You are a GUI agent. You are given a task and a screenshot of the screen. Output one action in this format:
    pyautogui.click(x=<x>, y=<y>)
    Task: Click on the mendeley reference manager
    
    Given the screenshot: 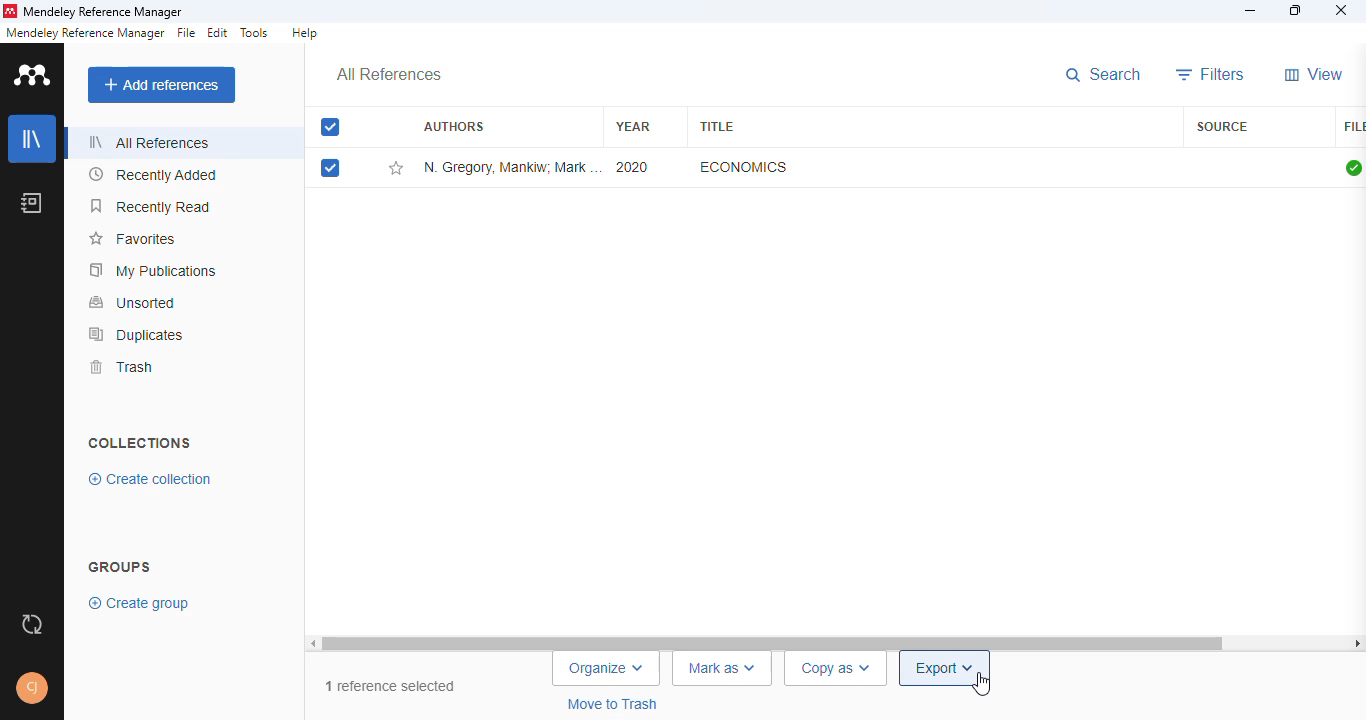 What is the action you would take?
    pyautogui.click(x=103, y=11)
    